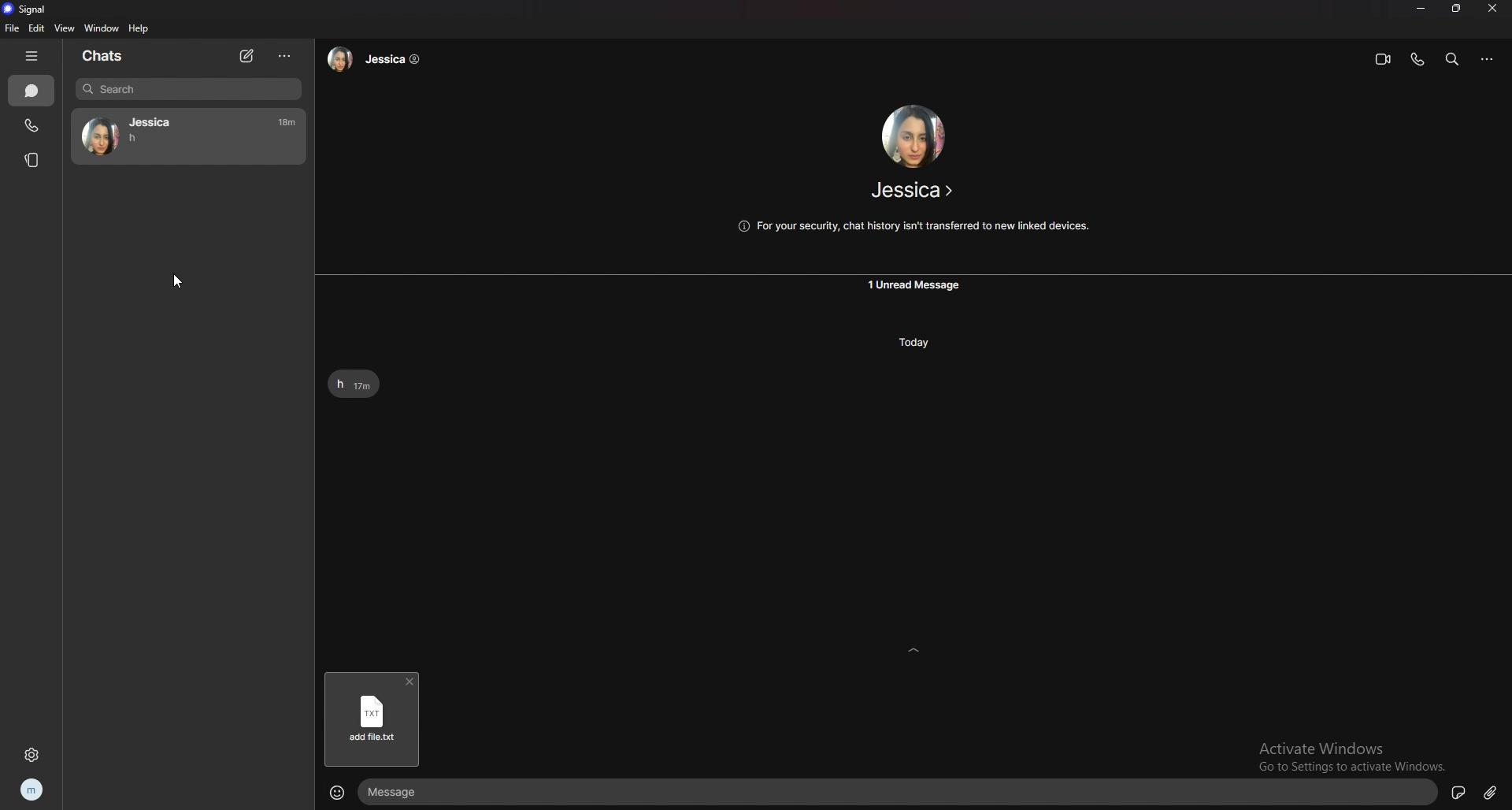 This screenshot has height=810, width=1512. Describe the element at coordinates (1454, 58) in the screenshot. I see `search` at that location.